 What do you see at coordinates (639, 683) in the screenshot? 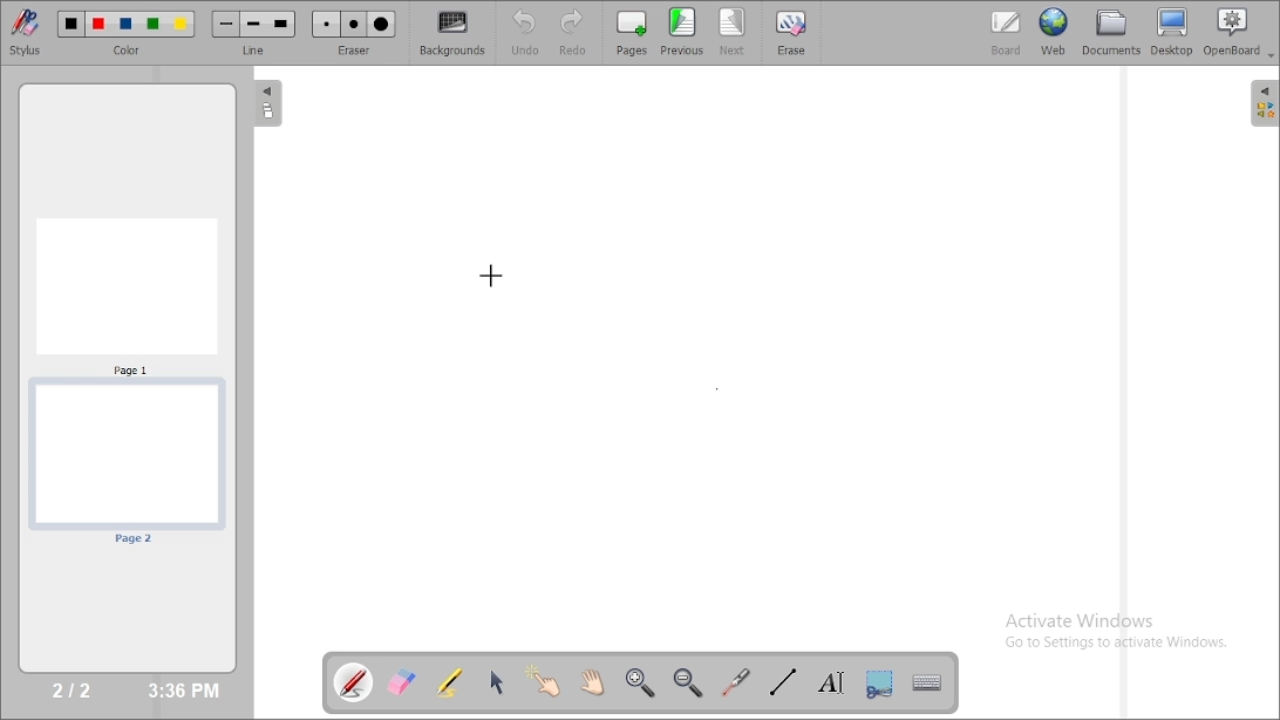
I see `zoom in` at bounding box center [639, 683].